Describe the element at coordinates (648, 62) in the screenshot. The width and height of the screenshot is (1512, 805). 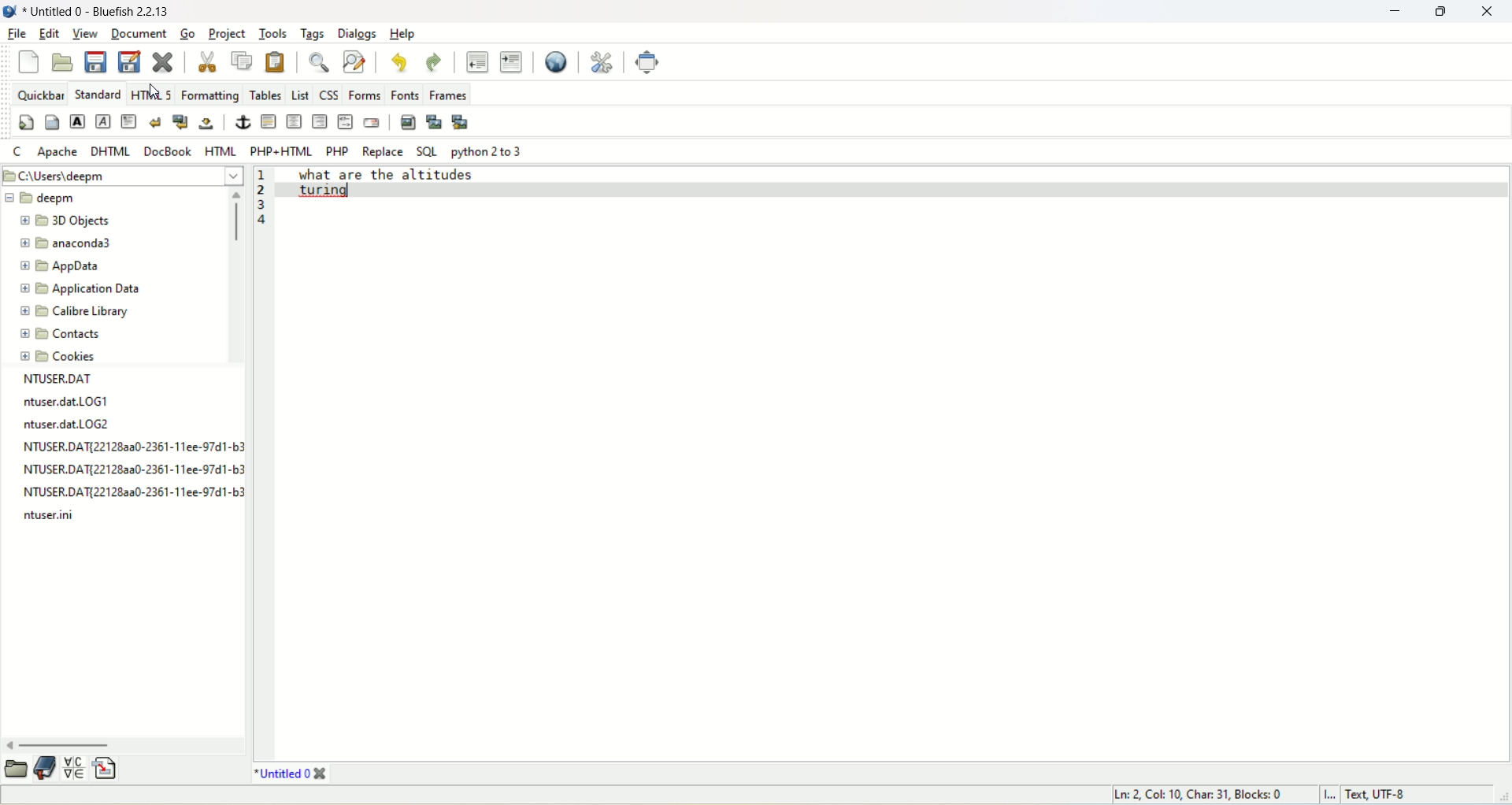
I see `fullscreen` at that location.